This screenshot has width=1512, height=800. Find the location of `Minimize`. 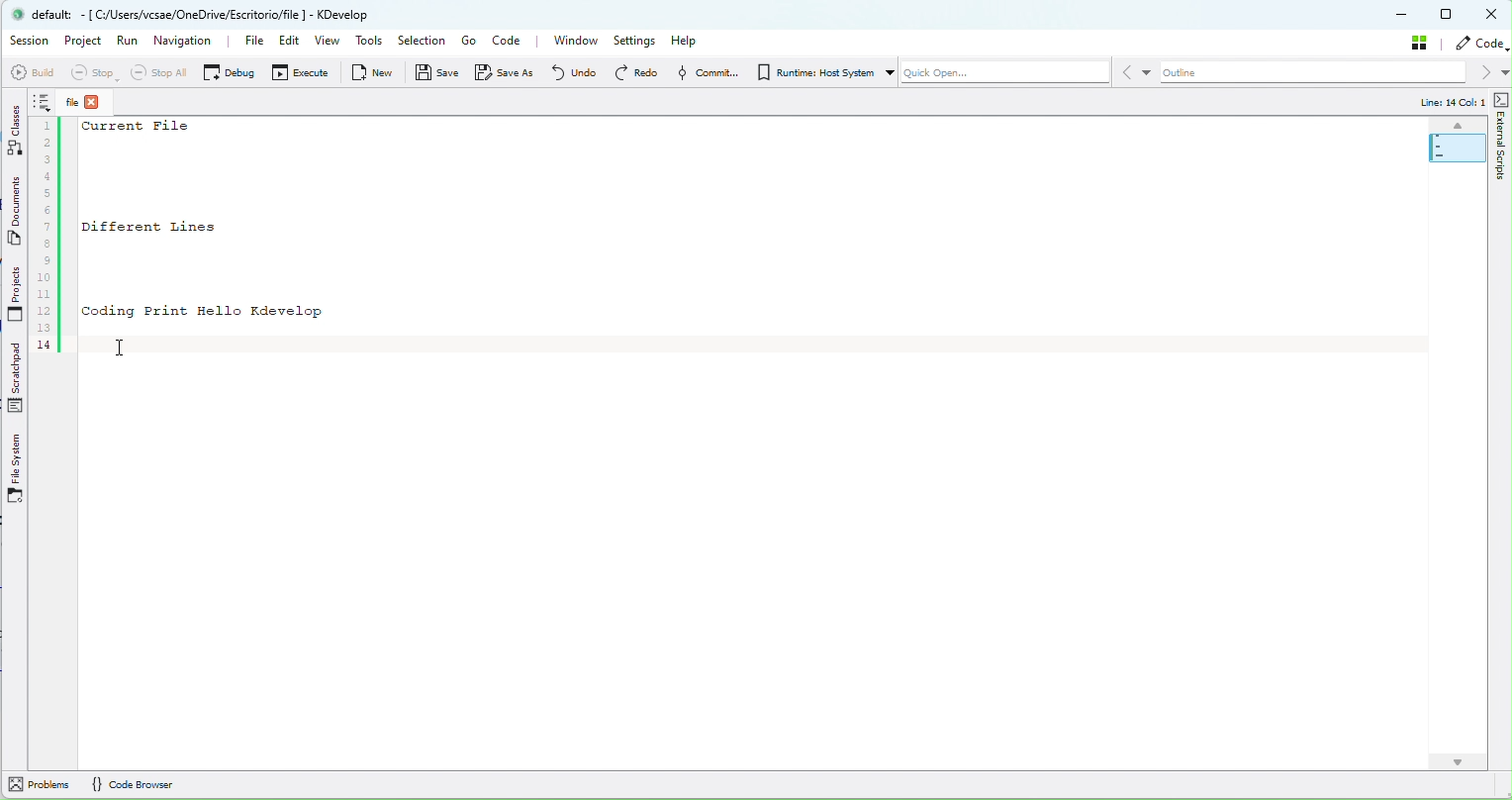

Minimize is located at coordinates (1403, 16).